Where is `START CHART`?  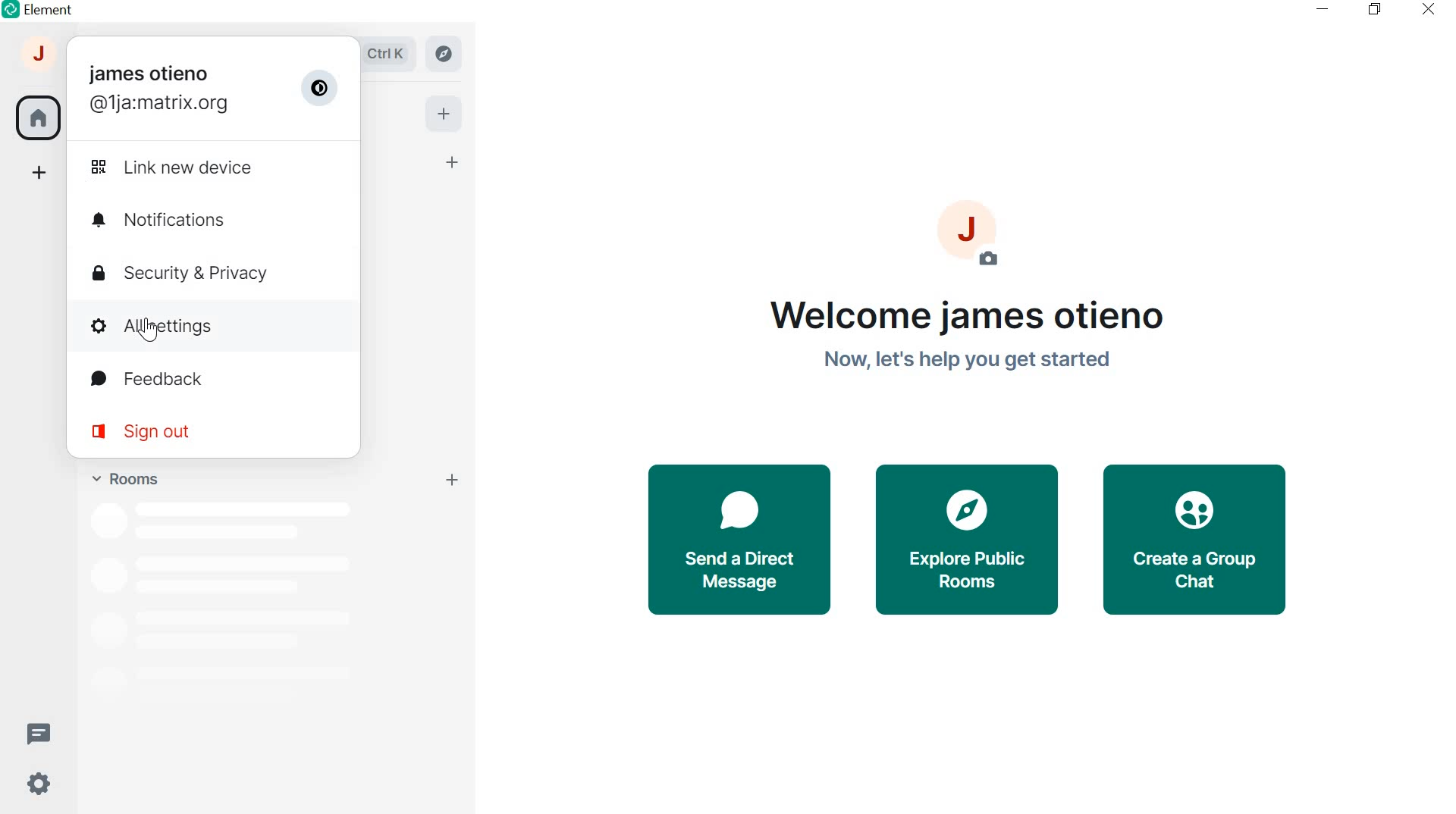 START CHART is located at coordinates (453, 164).